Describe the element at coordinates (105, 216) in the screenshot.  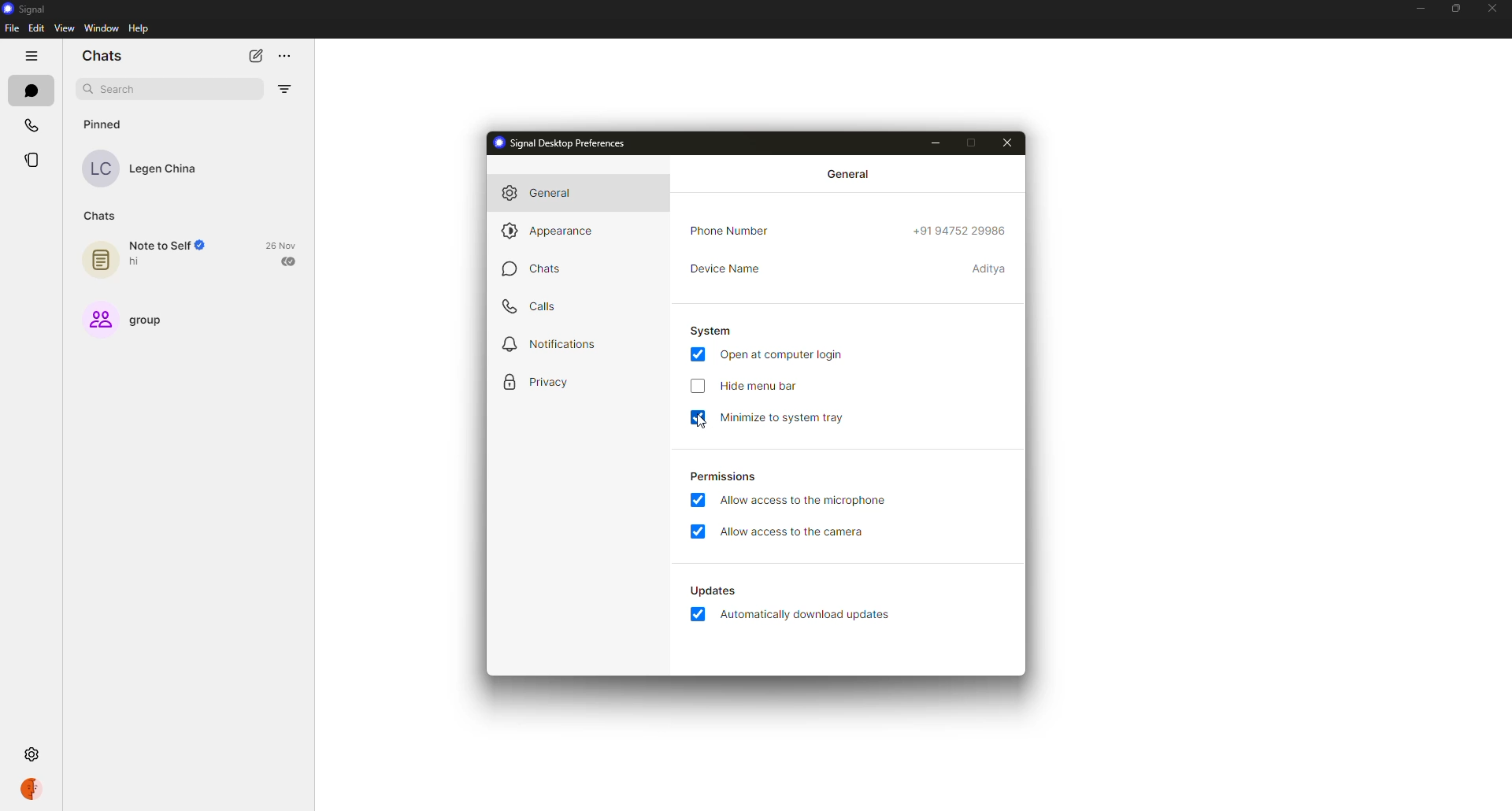
I see `chats` at that location.